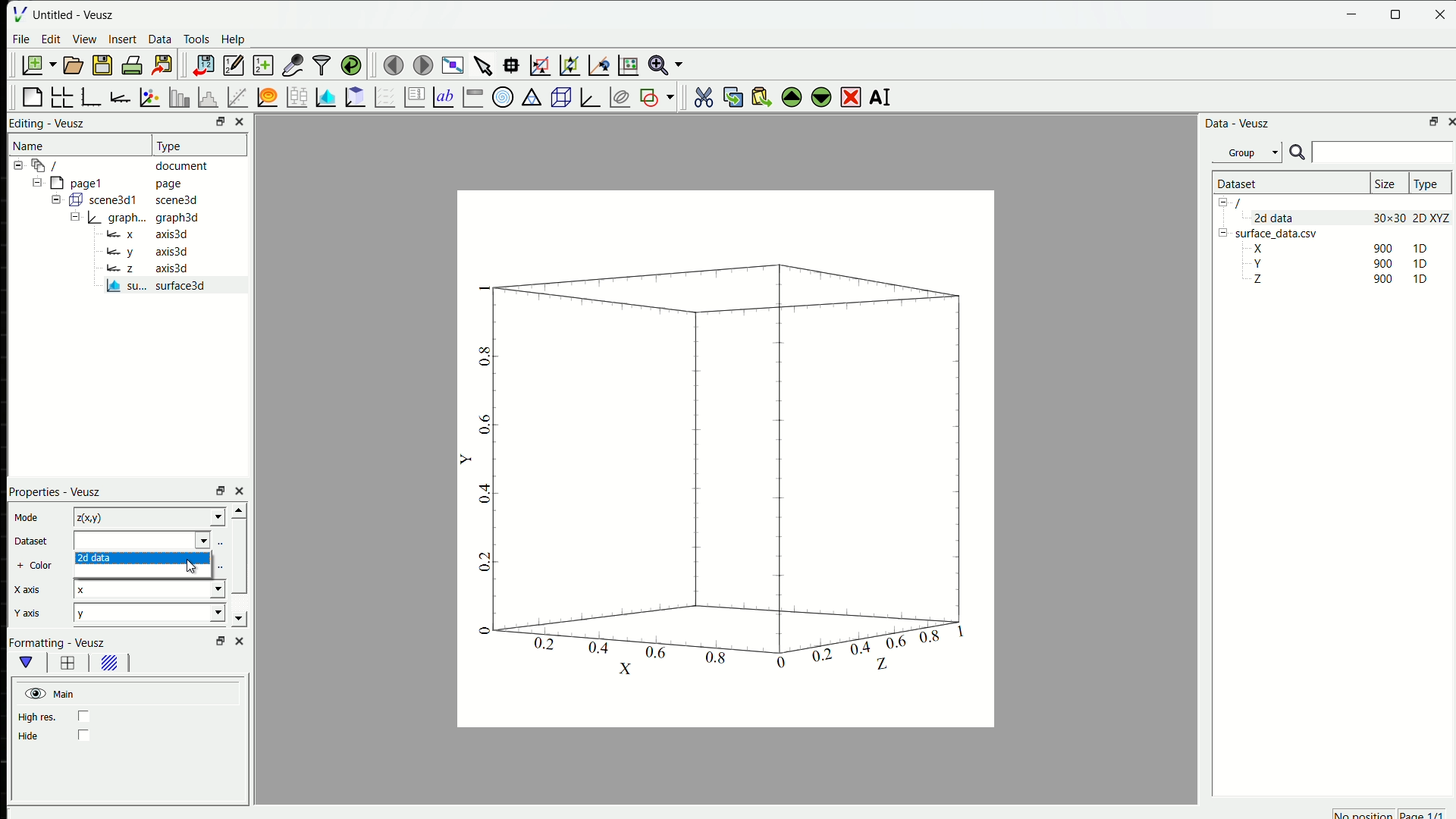 This screenshot has height=819, width=1456. What do you see at coordinates (327, 96) in the screenshot?
I see `plot a 2D dataset as images` at bounding box center [327, 96].